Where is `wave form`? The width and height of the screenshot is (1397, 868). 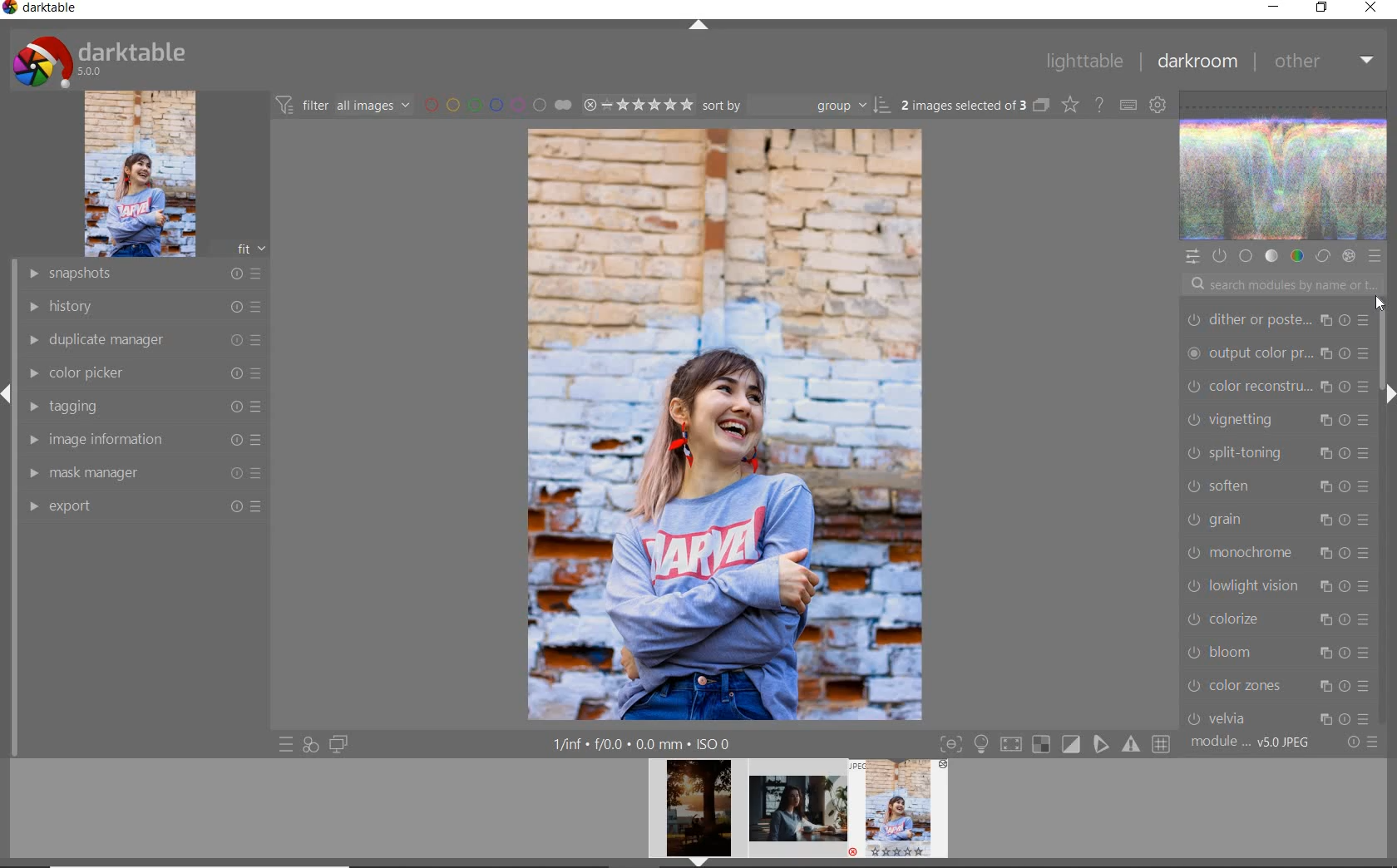 wave form is located at coordinates (1285, 167).